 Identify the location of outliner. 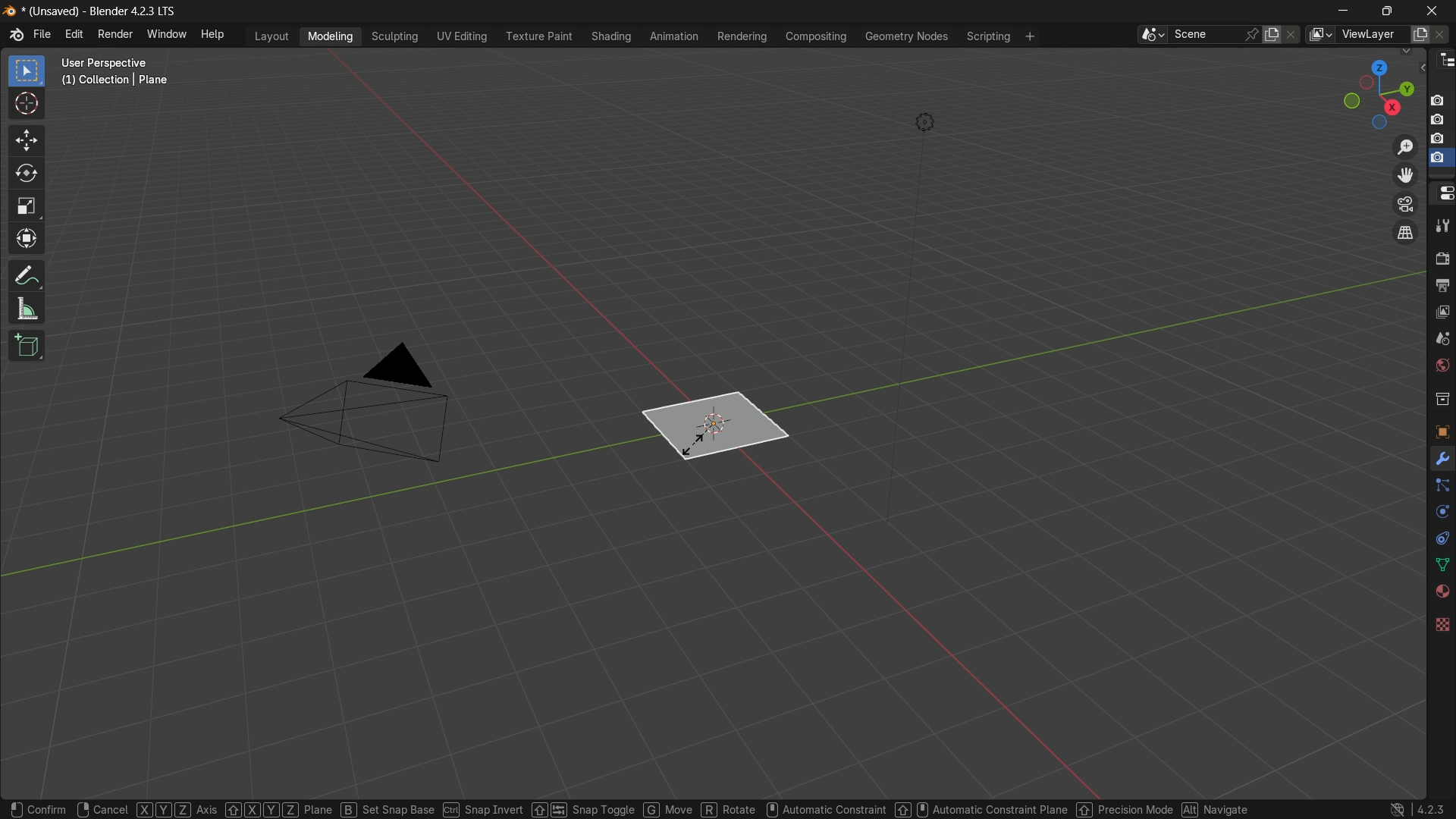
(1444, 61).